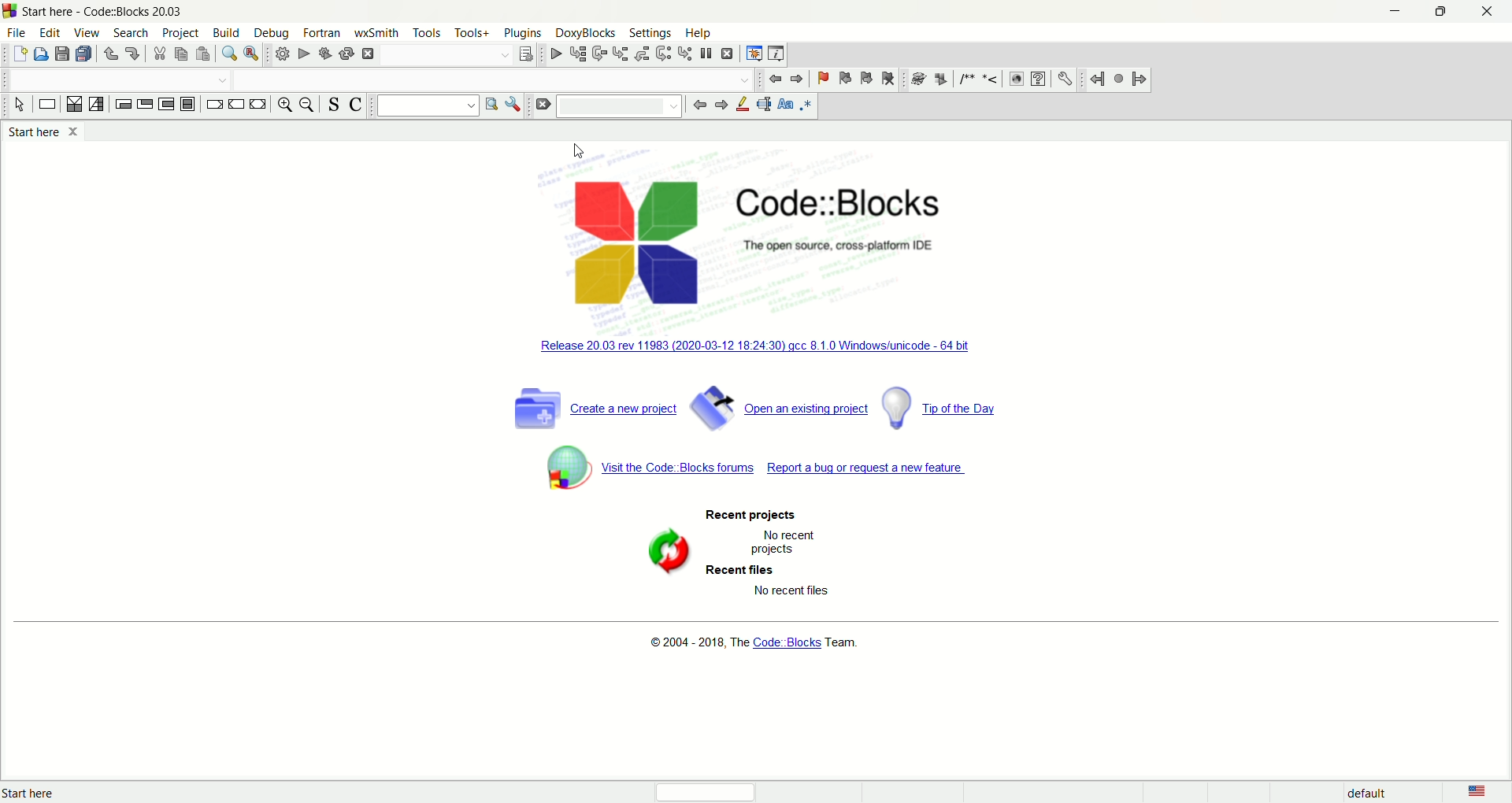 This screenshot has height=803, width=1512. What do you see at coordinates (206, 53) in the screenshot?
I see `paste` at bounding box center [206, 53].